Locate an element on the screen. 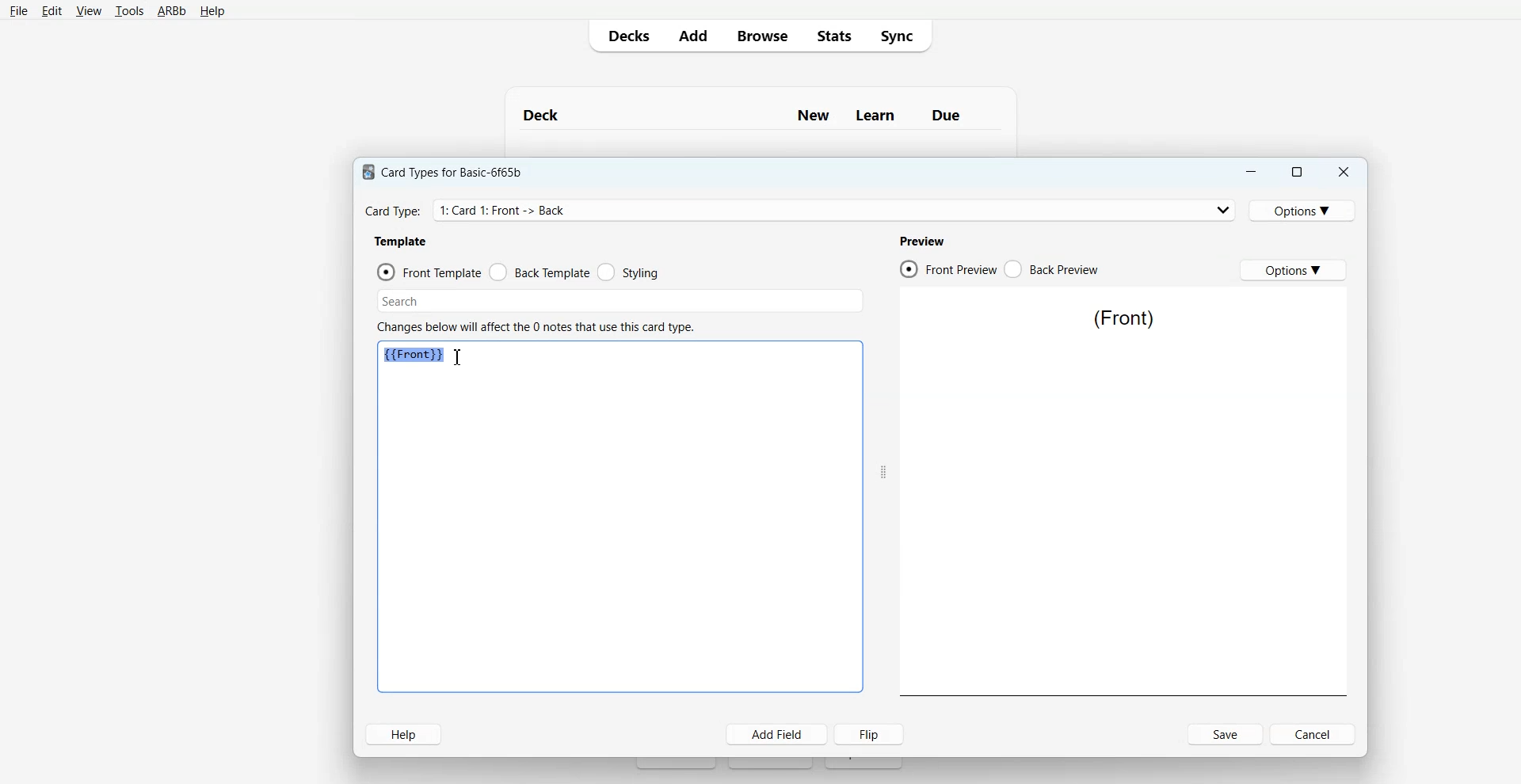 The width and height of the screenshot is (1521, 784). Text 4 is located at coordinates (925, 239).